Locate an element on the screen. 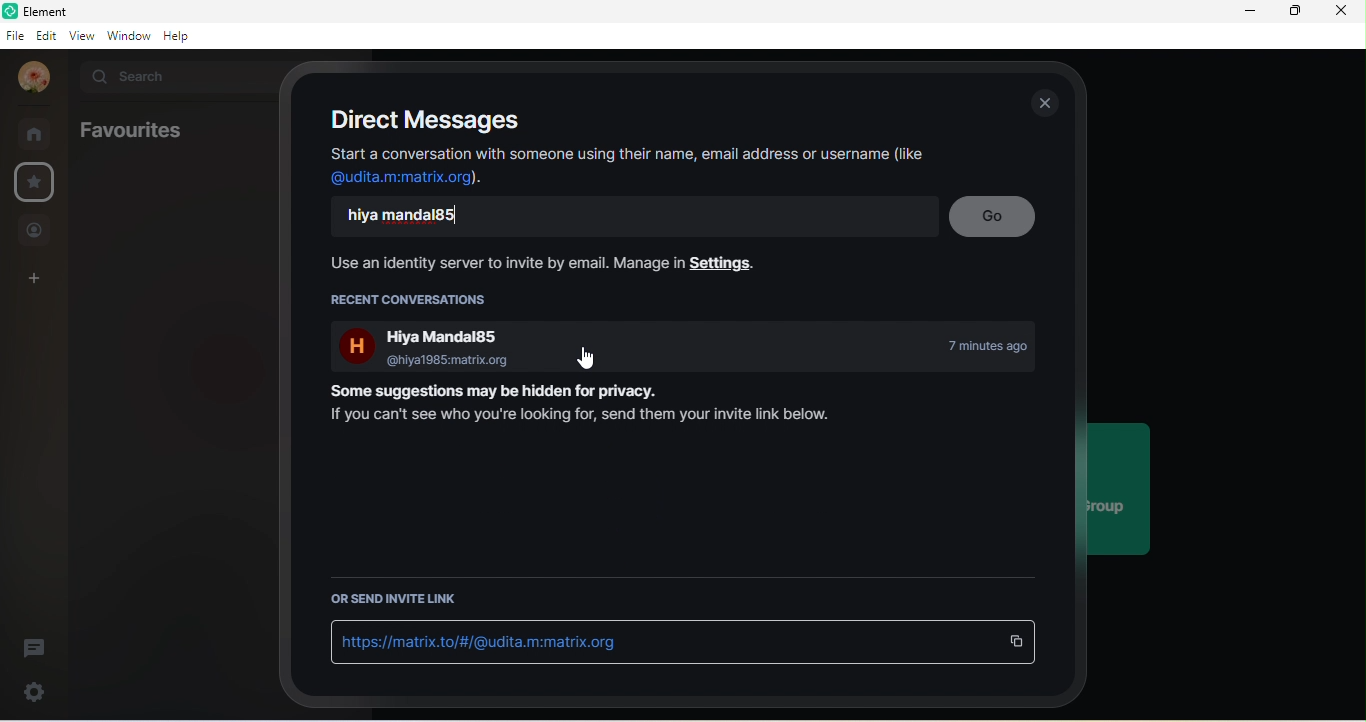 This screenshot has height=722, width=1366. copy is located at coordinates (1017, 642).